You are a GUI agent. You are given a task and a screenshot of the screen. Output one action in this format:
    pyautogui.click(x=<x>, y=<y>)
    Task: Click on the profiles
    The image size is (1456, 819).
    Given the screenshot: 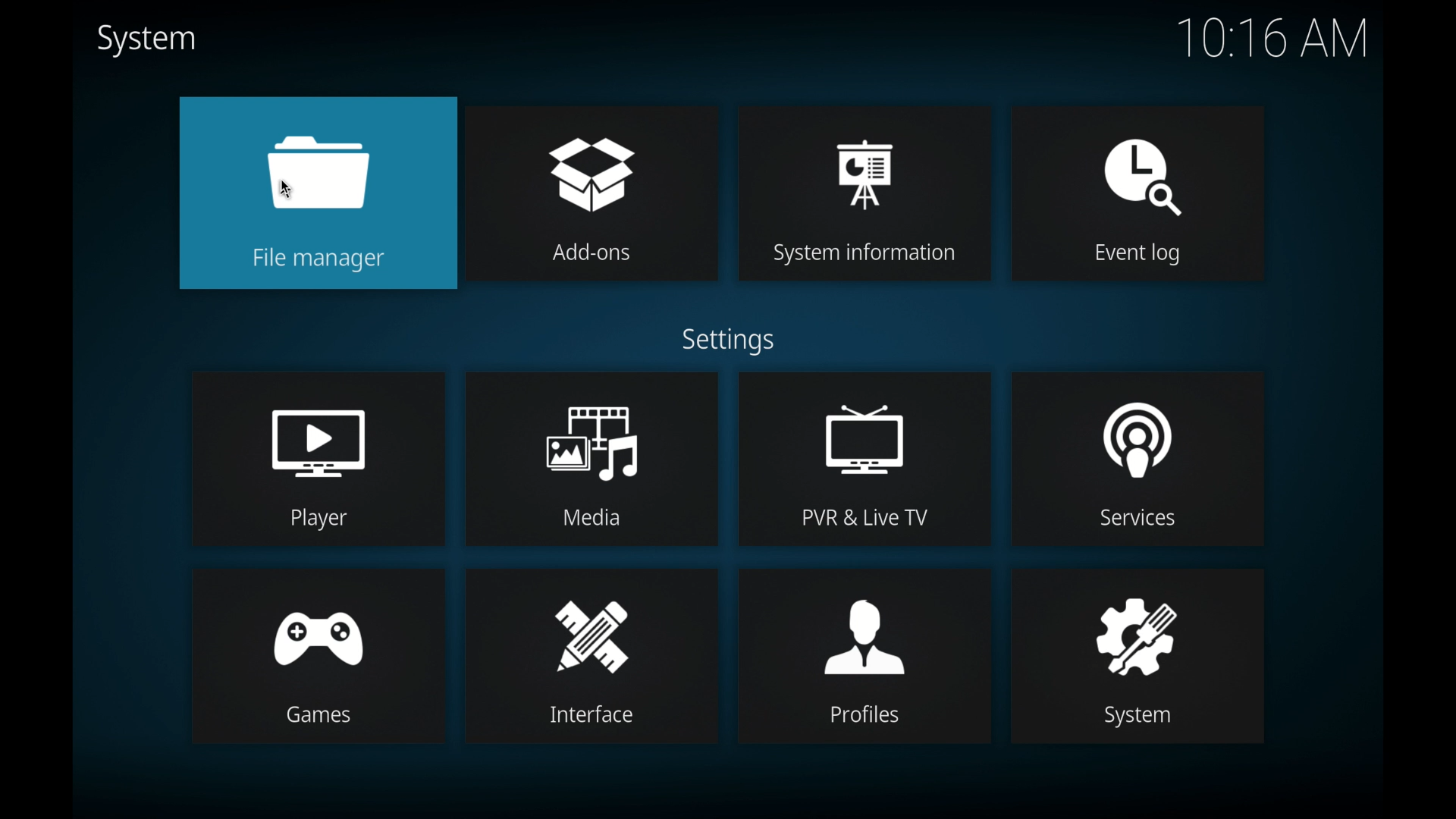 What is the action you would take?
    pyautogui.click(x=864, y=657)
    